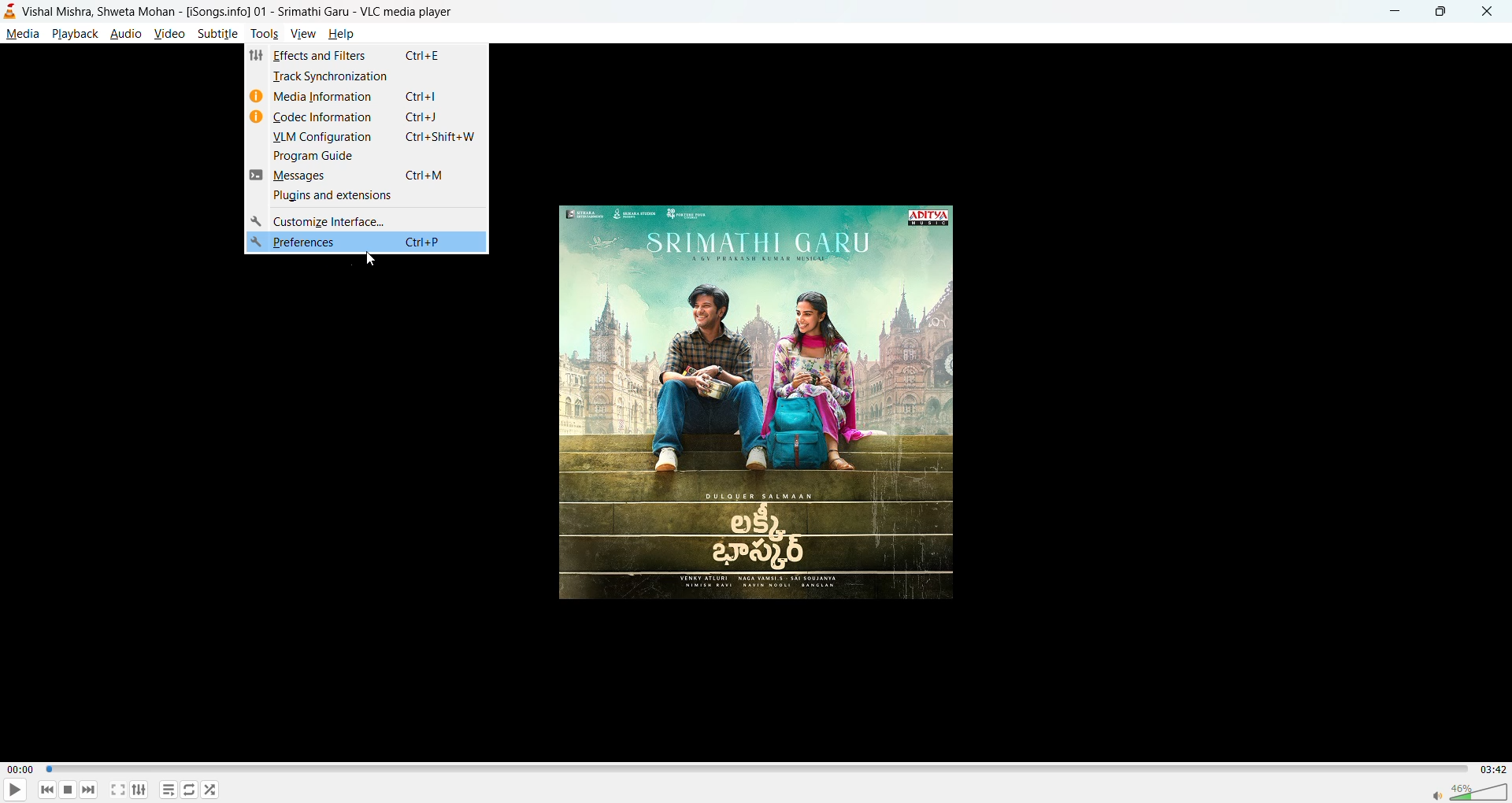 This screenshot has width=1512, height=803. Describe the element at coordinates (1392, 9) in the screenshot. I see `minimize` at that location.